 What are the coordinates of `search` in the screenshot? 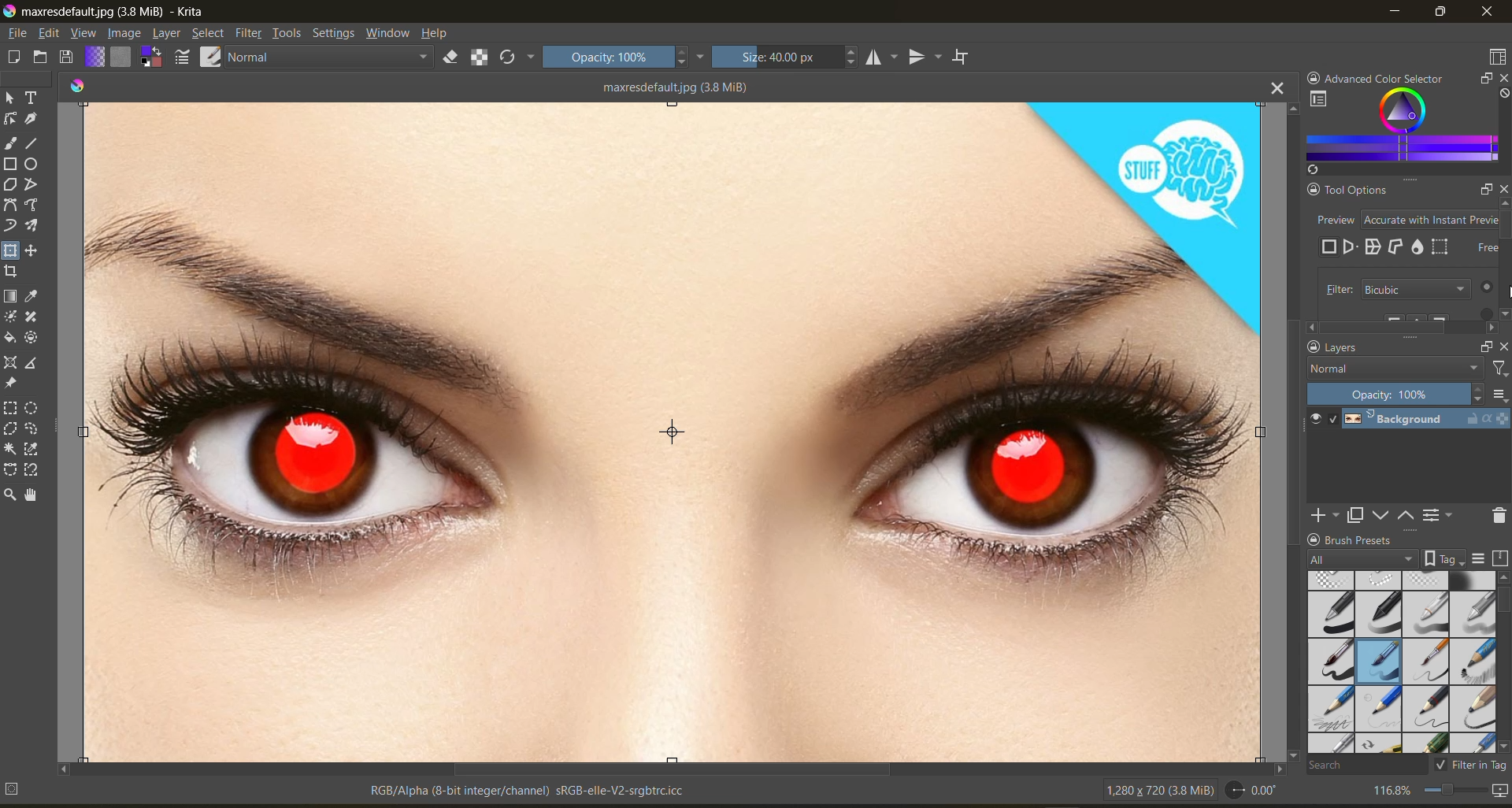 It's located at (1373, 766).